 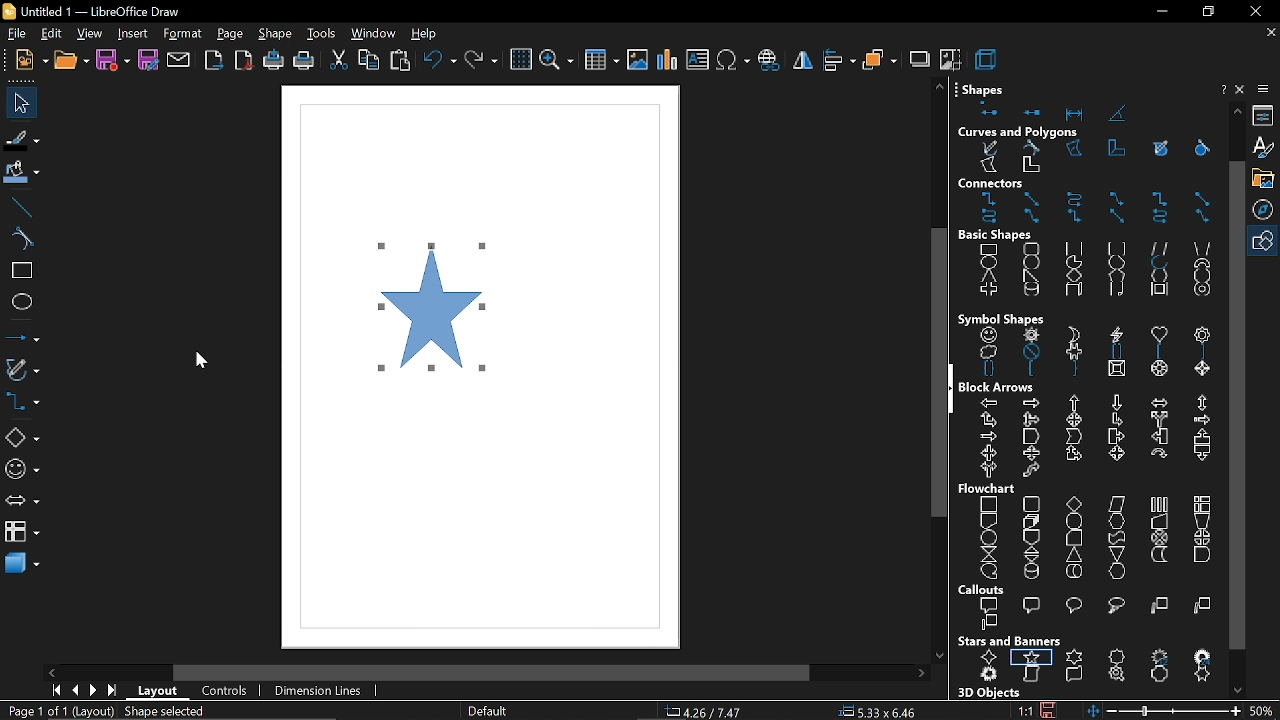 I want to click on move down, so click(x=1238, y=689).